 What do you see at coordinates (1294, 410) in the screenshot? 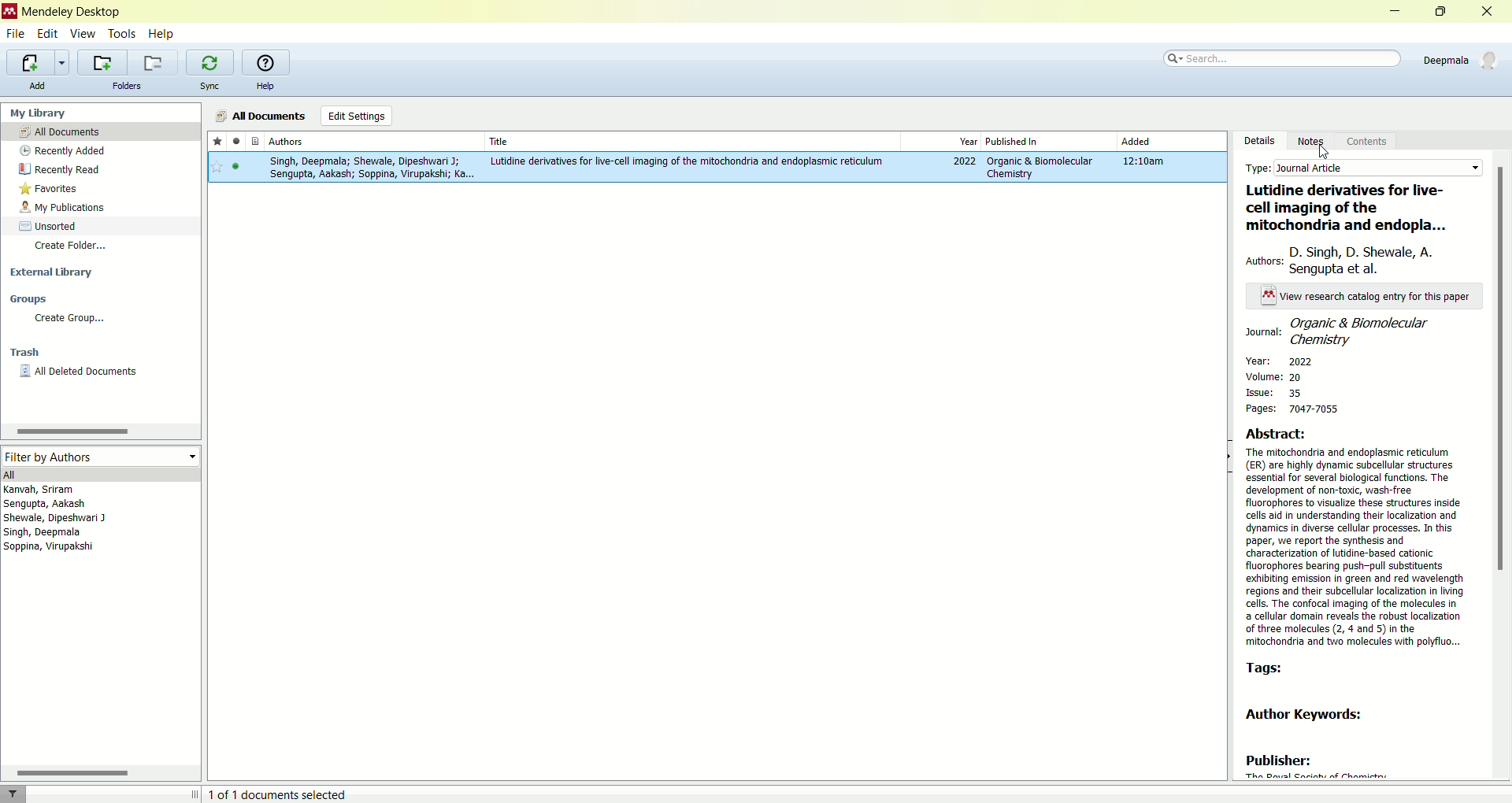
I see `page: 7047-7055` at bounding box center [1294, 410].